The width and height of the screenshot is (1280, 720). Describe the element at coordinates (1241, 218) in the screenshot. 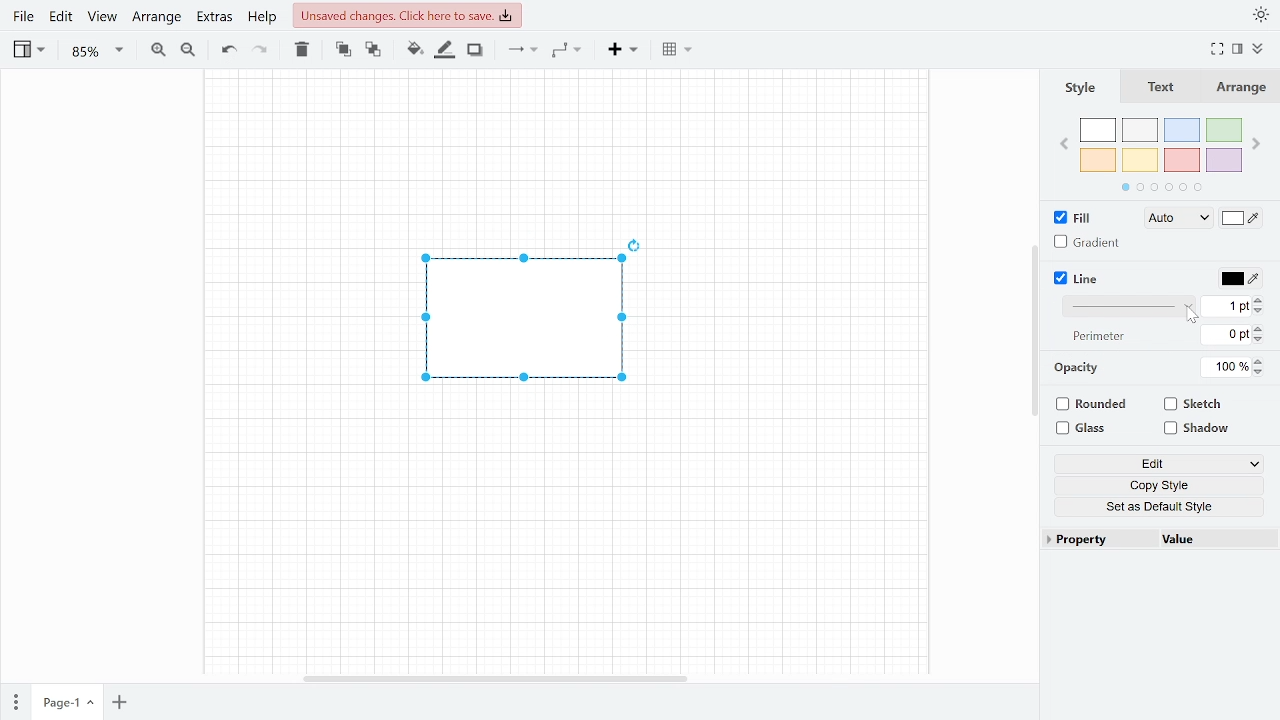

I see `Fill style` at that location.